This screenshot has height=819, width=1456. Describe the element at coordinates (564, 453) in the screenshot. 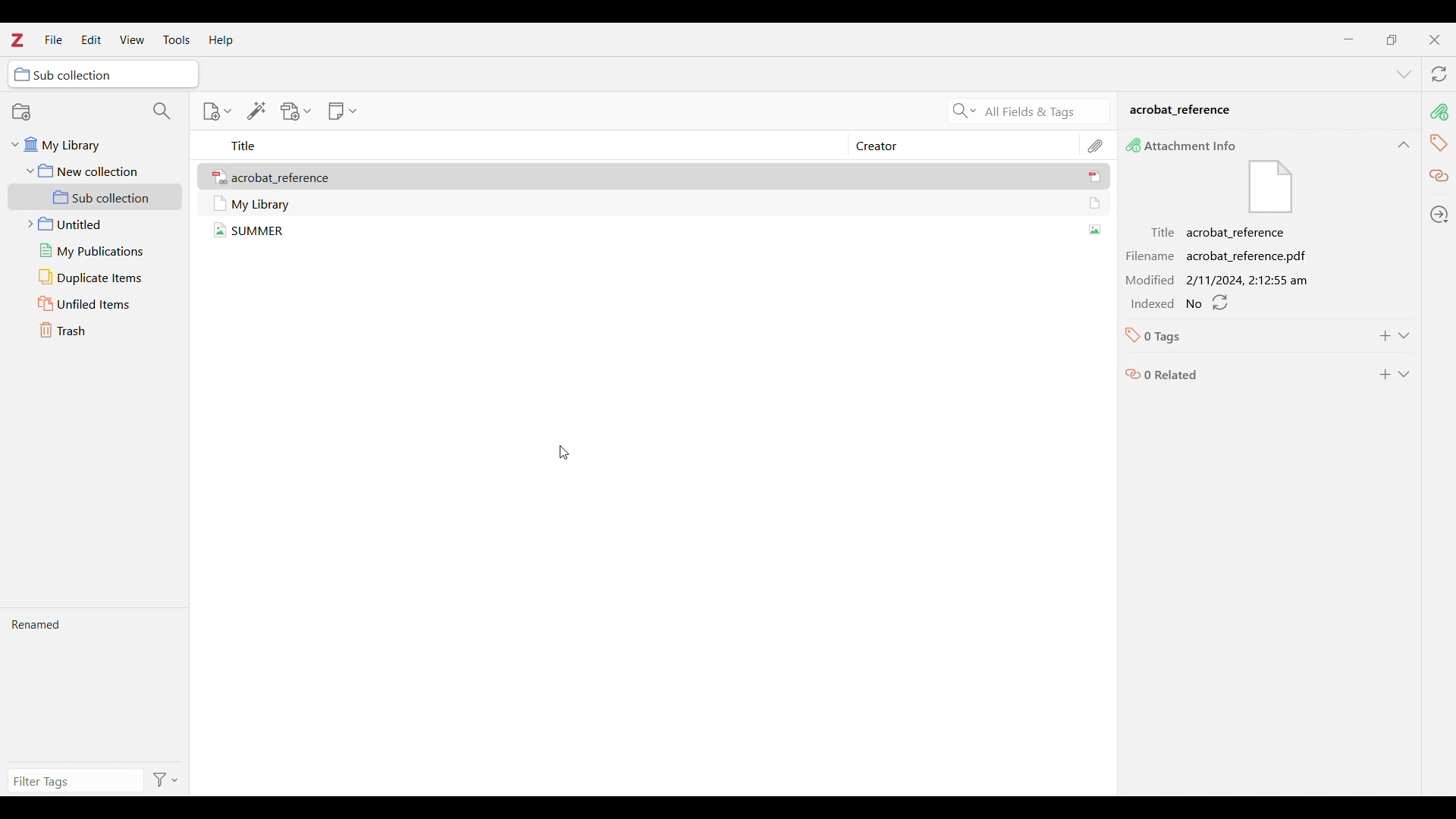

I see `Cursor ` at that location.